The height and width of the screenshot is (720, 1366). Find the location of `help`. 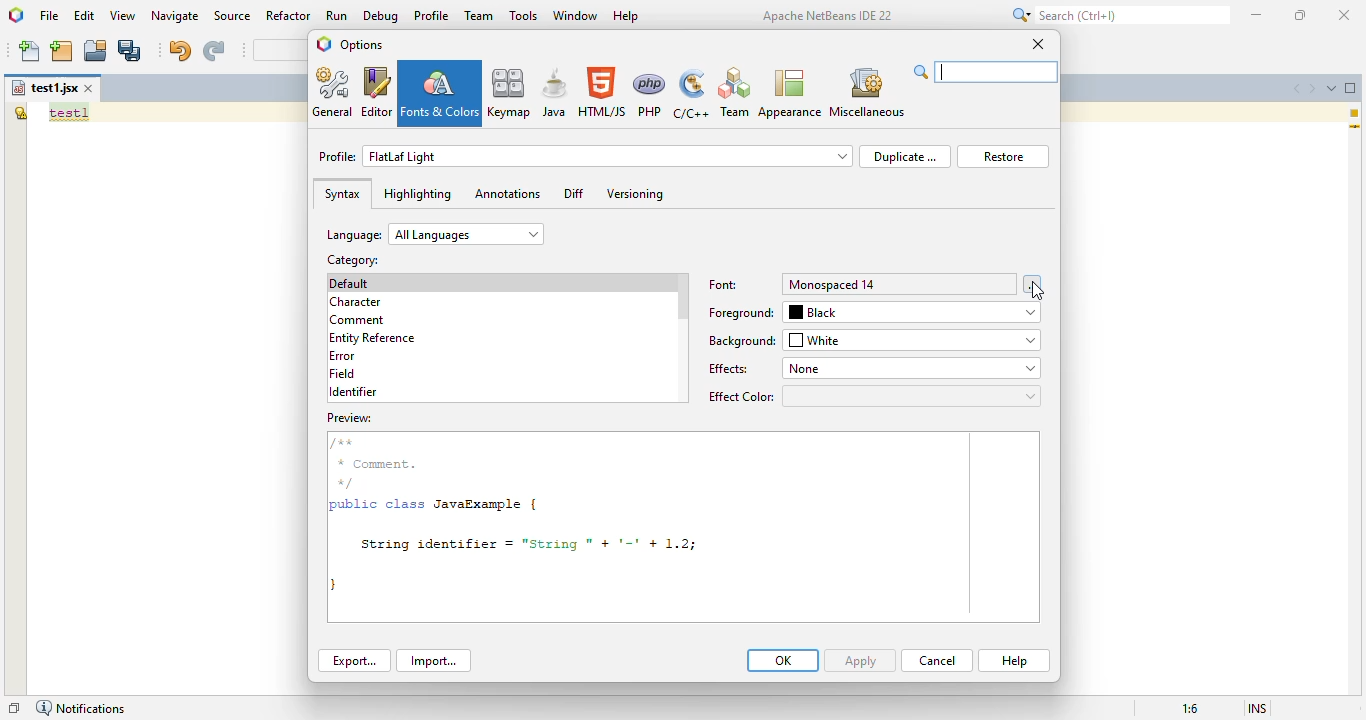

help is located at coordinates (626, 16).